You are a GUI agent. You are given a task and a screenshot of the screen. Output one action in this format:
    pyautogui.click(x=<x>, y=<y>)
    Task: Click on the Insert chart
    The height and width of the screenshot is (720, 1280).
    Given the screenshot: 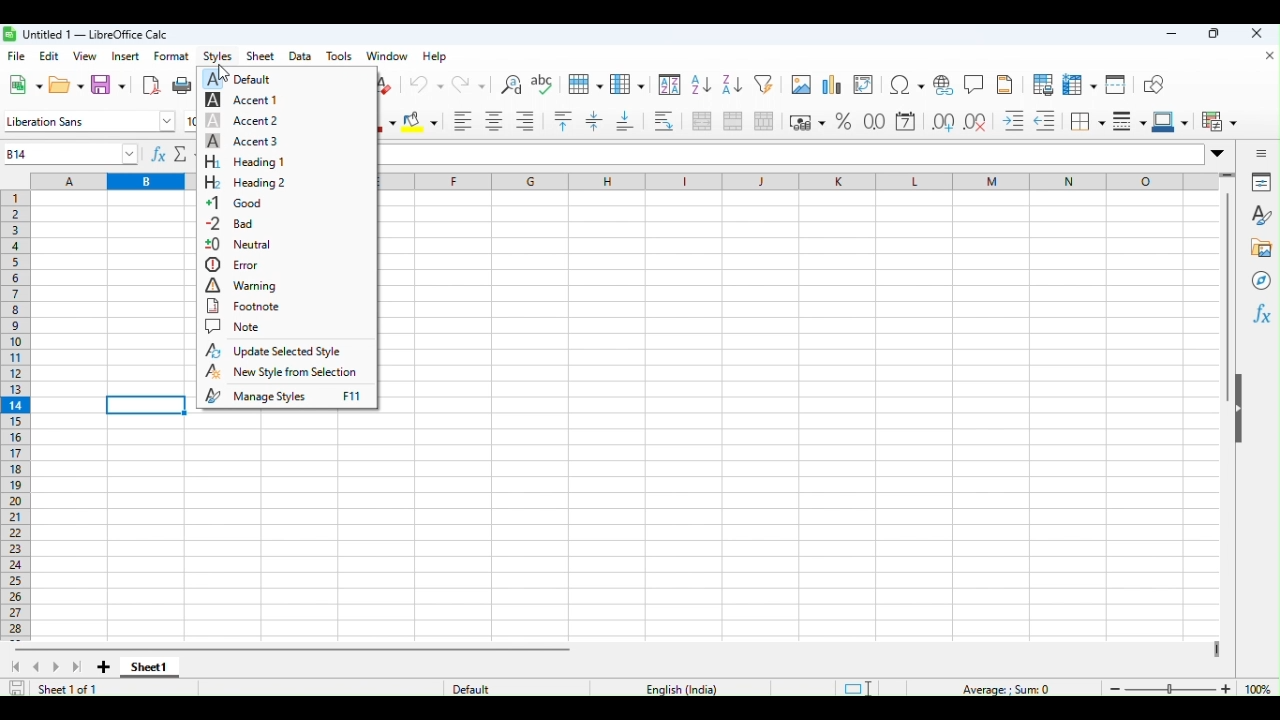 What is the action you would take?
    pyautogui.click(x=832, y=83)
    